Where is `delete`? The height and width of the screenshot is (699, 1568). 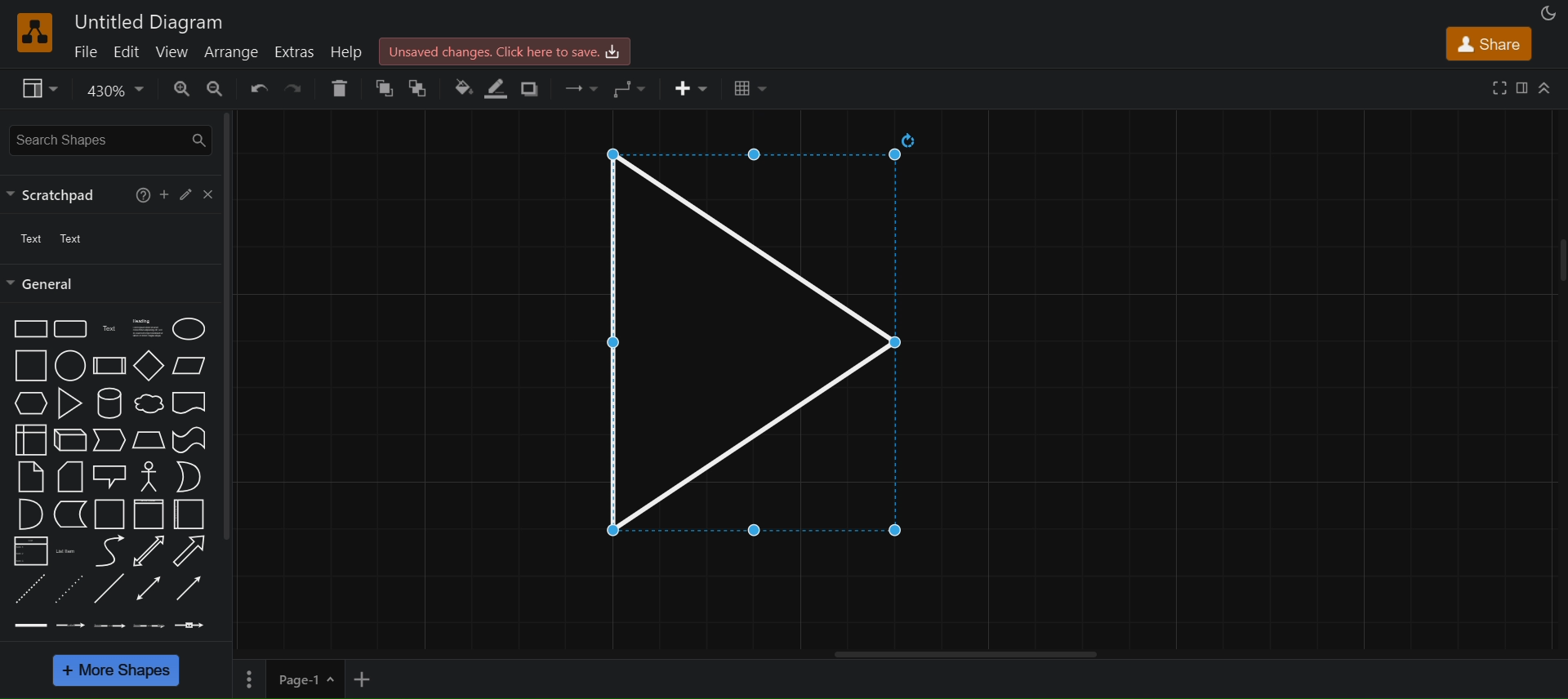
delete is located at coordinates (338, 88).